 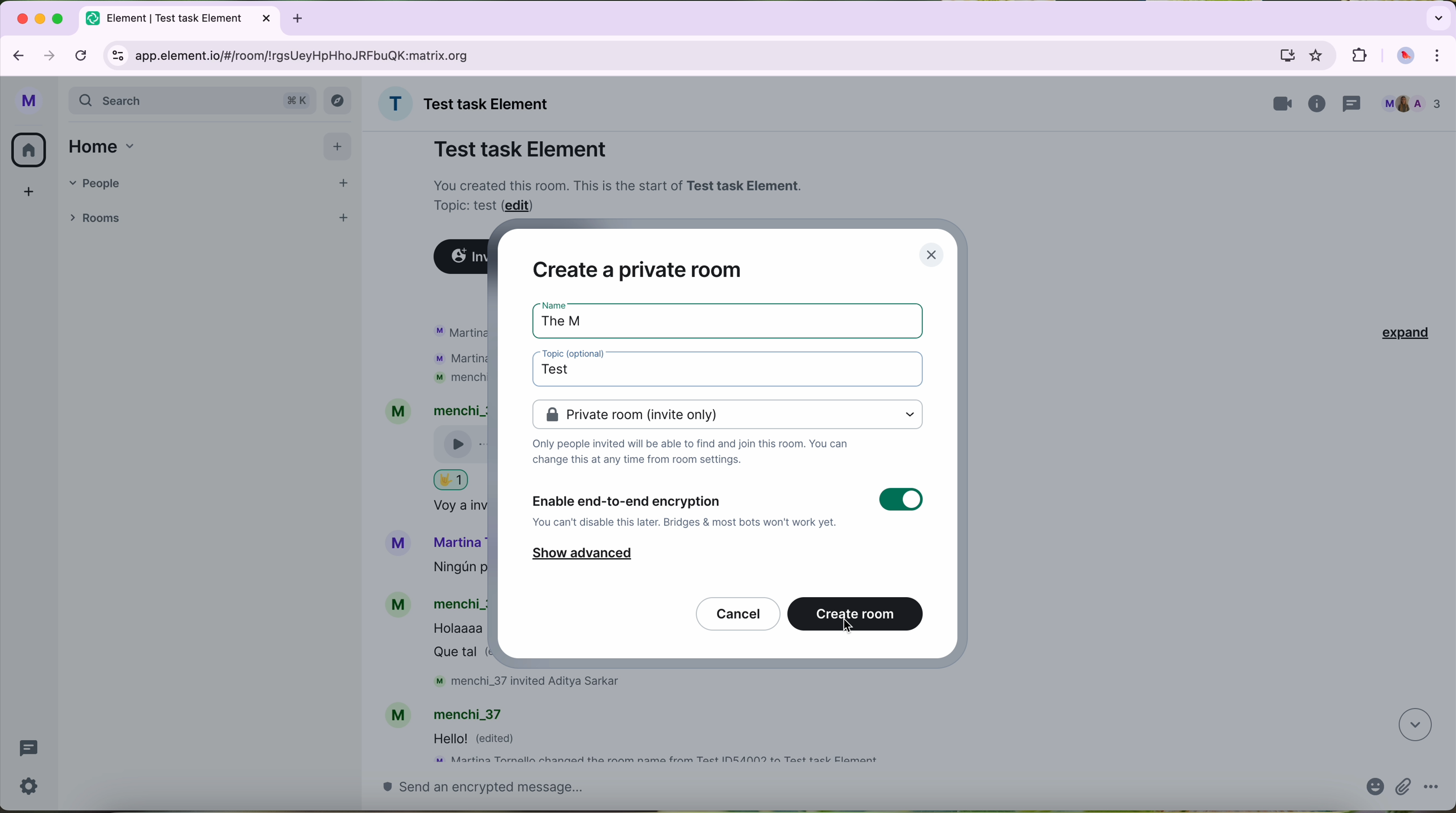 I want to click on show advanced, so click(x=582, y=556).